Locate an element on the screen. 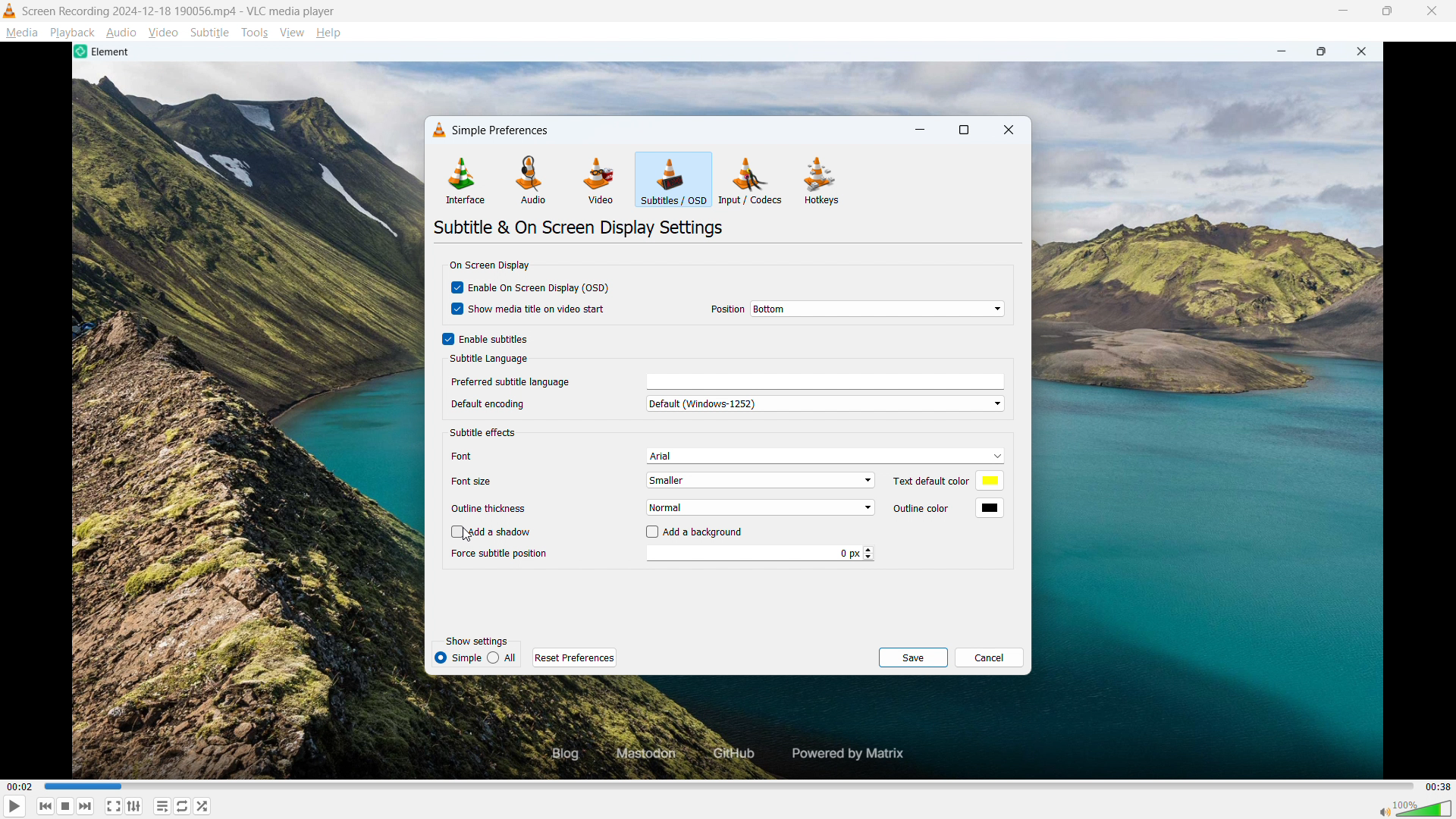 The height and width of the screenshot is (819, 1456). cancel is located at coordinates (990, 657).